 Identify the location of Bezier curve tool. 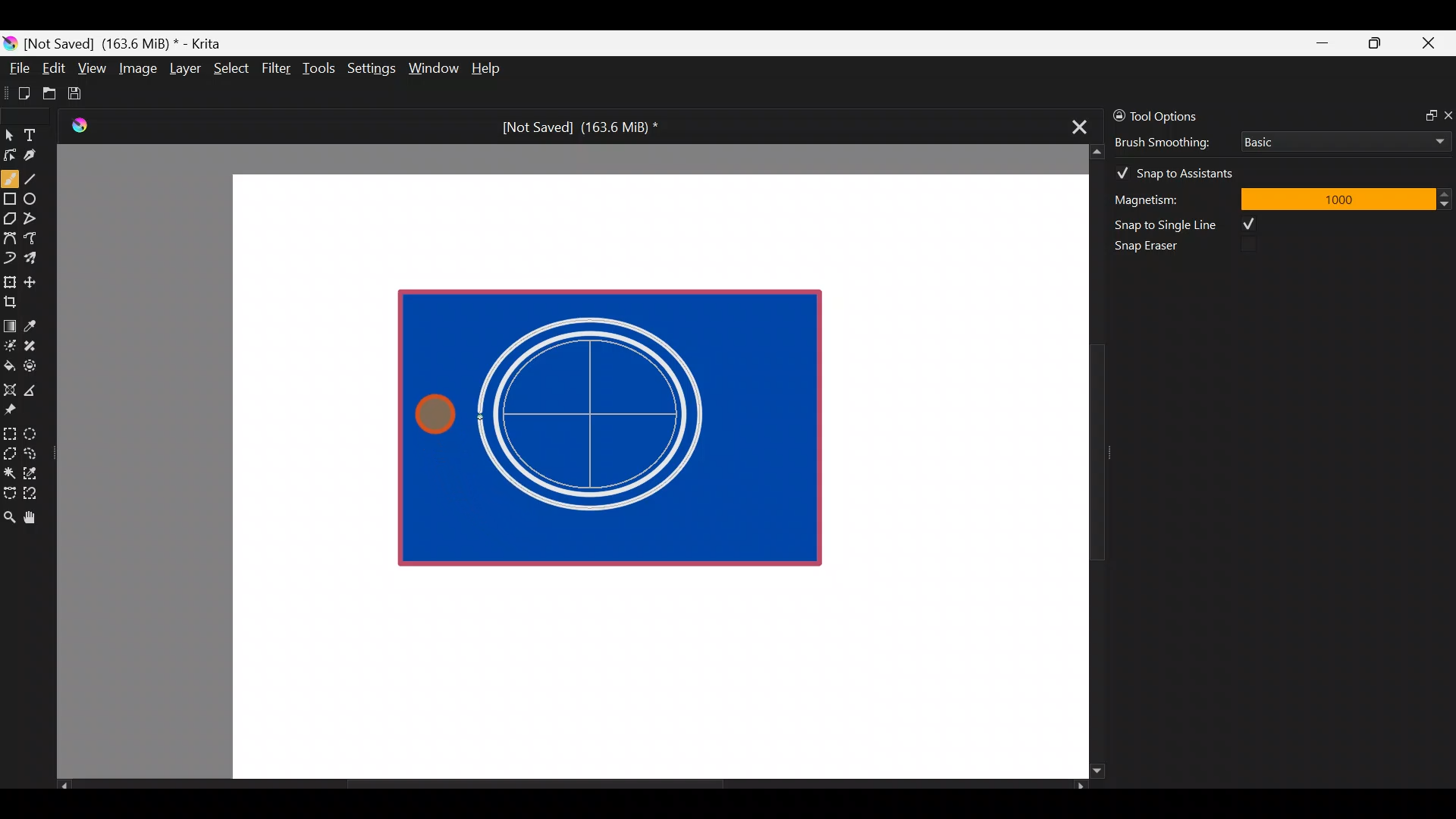
(9, 240).